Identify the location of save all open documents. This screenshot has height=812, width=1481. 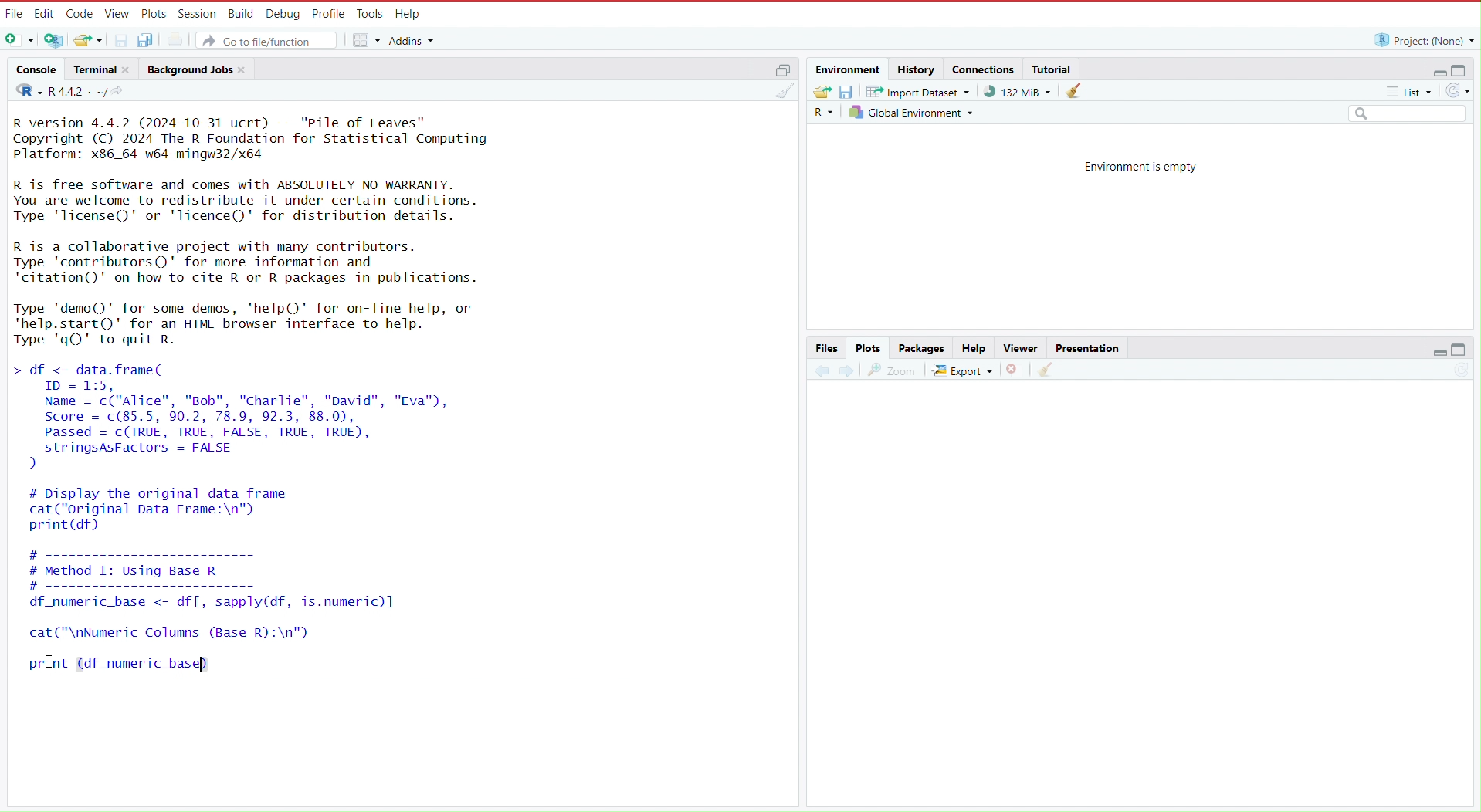
(147, 40).